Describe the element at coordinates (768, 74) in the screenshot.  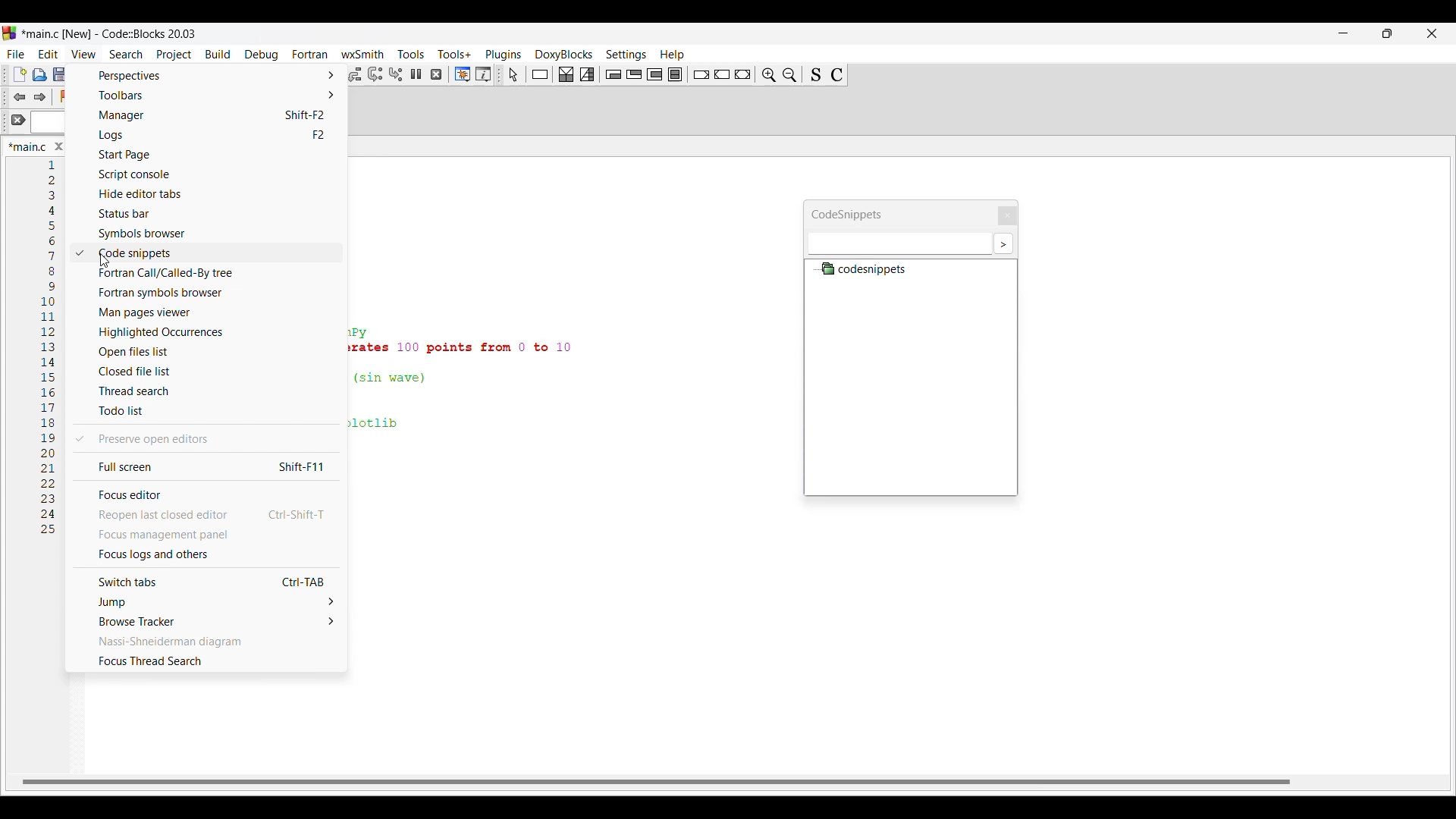
I see `Zoom out` at that location.